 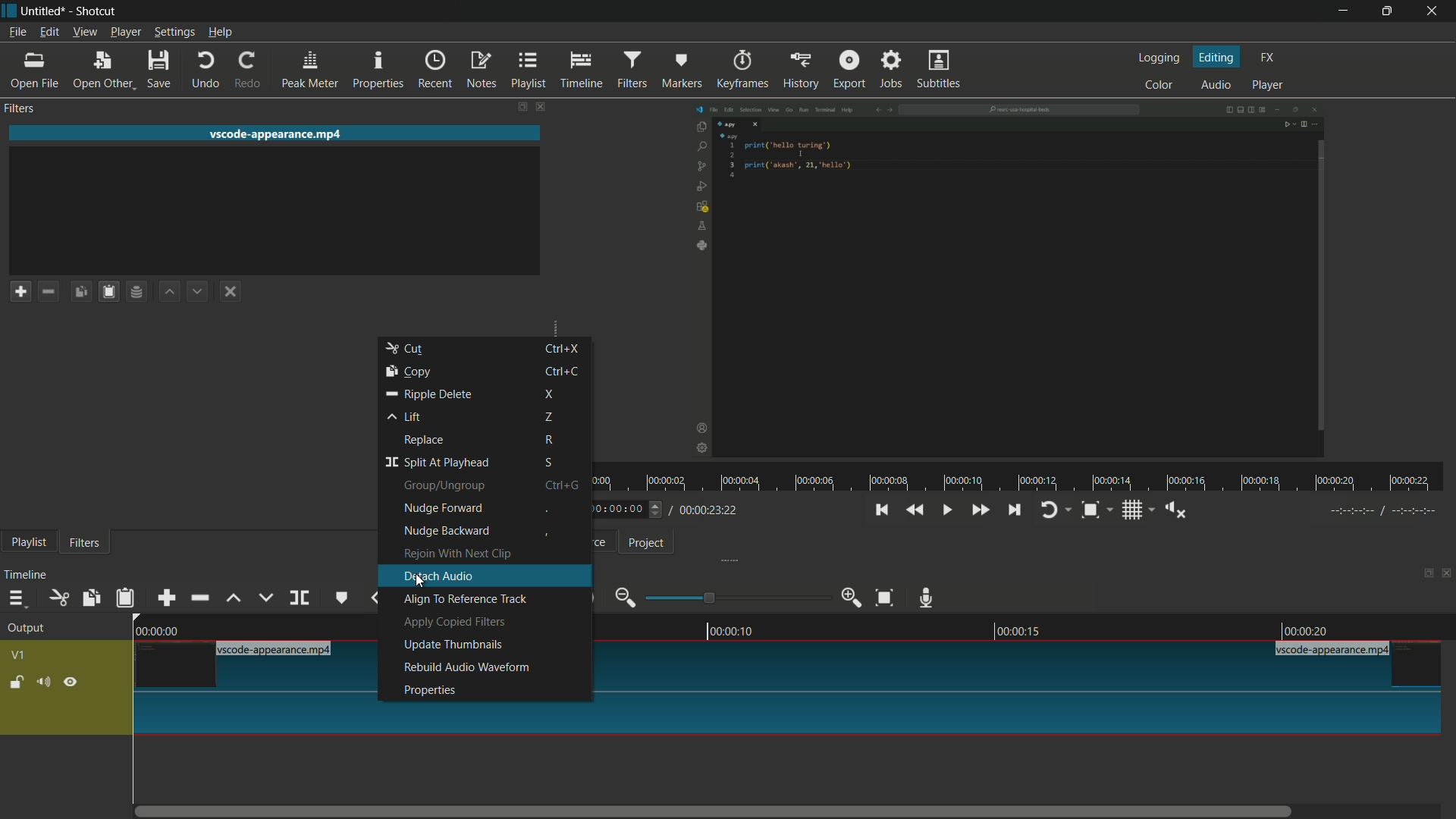 What do you see at coordinates (940, 69) in the screenshot?
I see `subtitles` at bounding box center [940, 69].